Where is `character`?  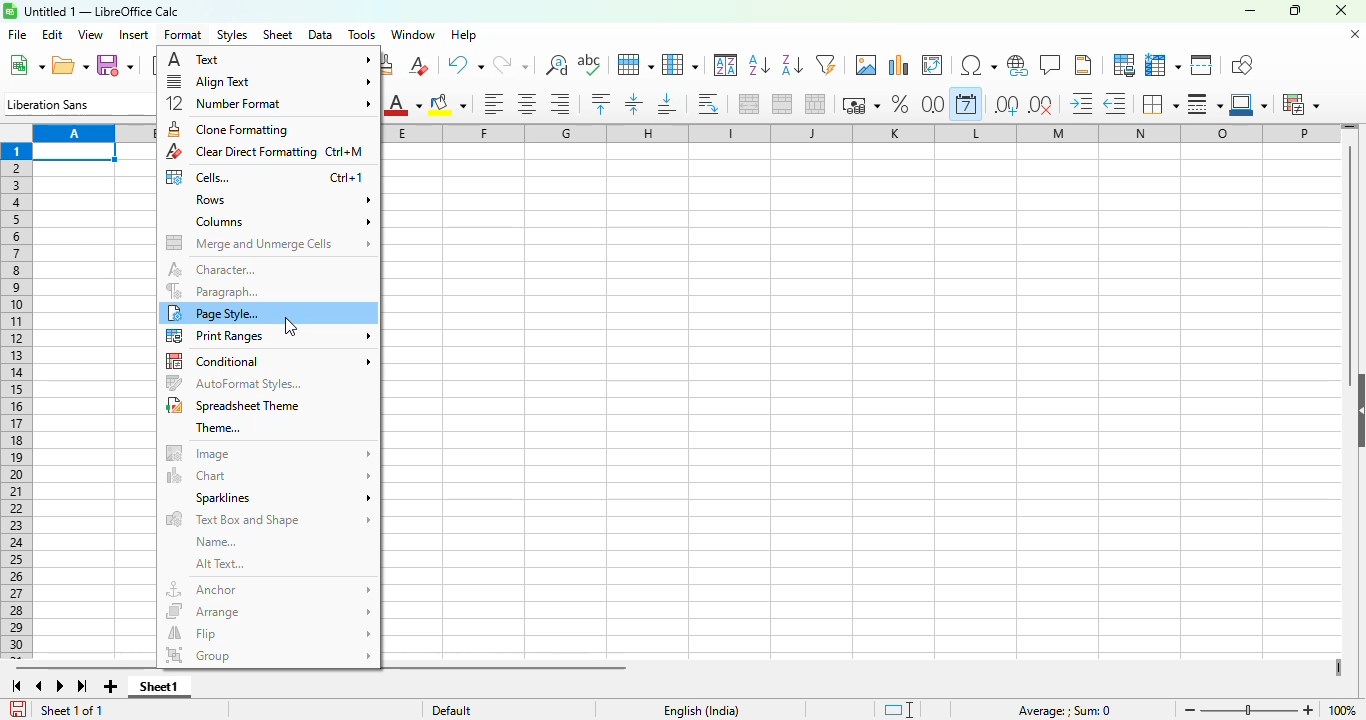
character is located at coordinates (213, 269).